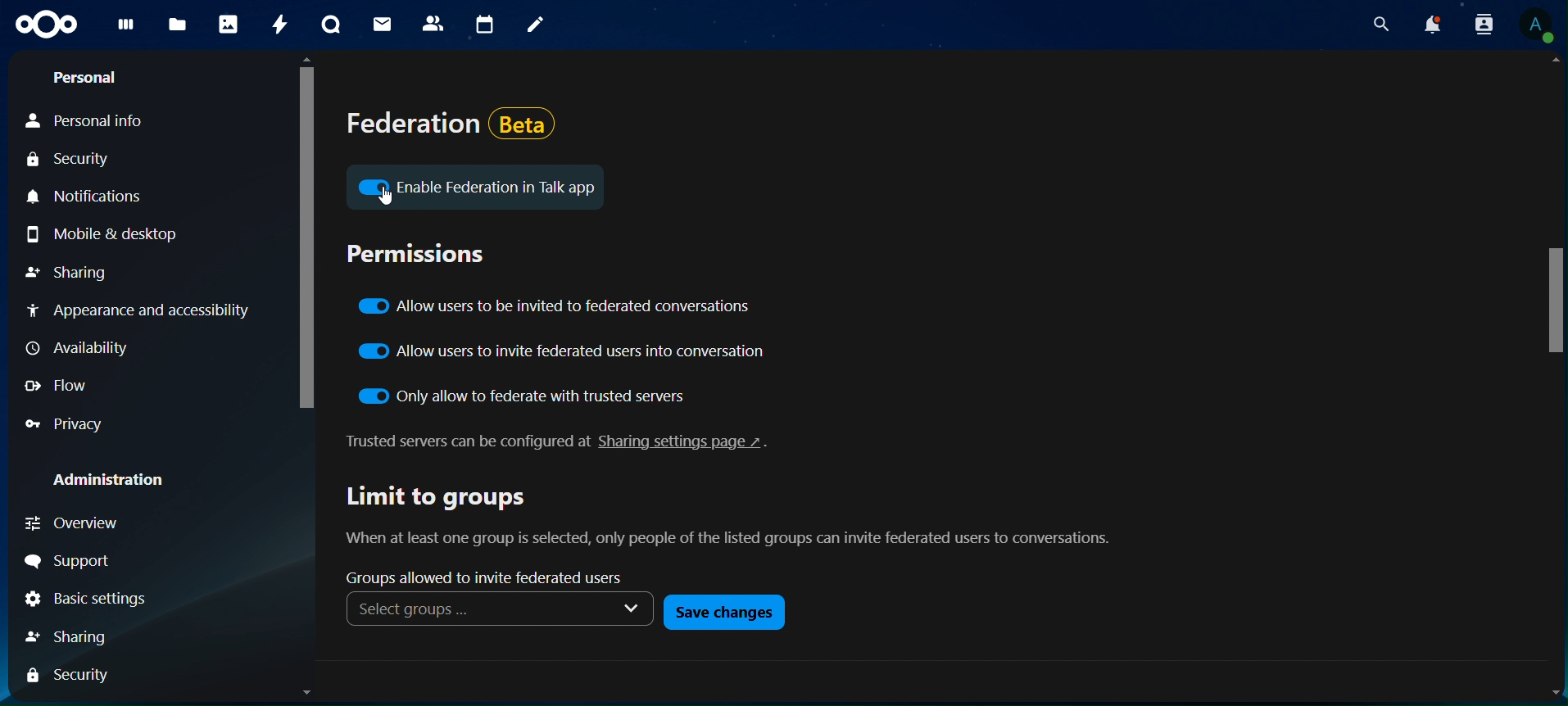  What do you see at coordinates (228, 24) in the screenshot?
I see `photos` at bounding box center [228, 24].